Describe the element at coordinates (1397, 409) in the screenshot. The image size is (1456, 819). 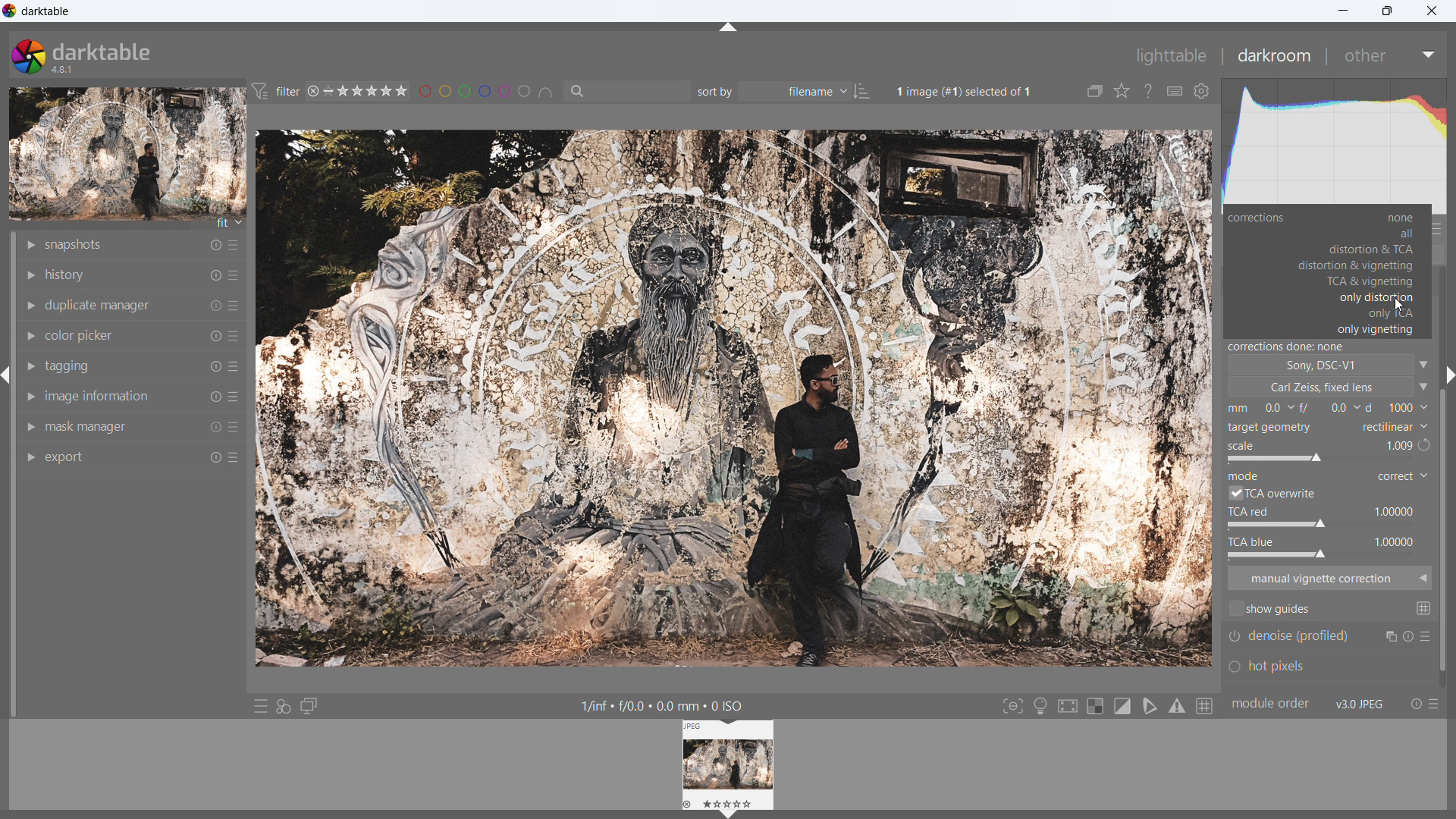
I see `f-number` at that location.